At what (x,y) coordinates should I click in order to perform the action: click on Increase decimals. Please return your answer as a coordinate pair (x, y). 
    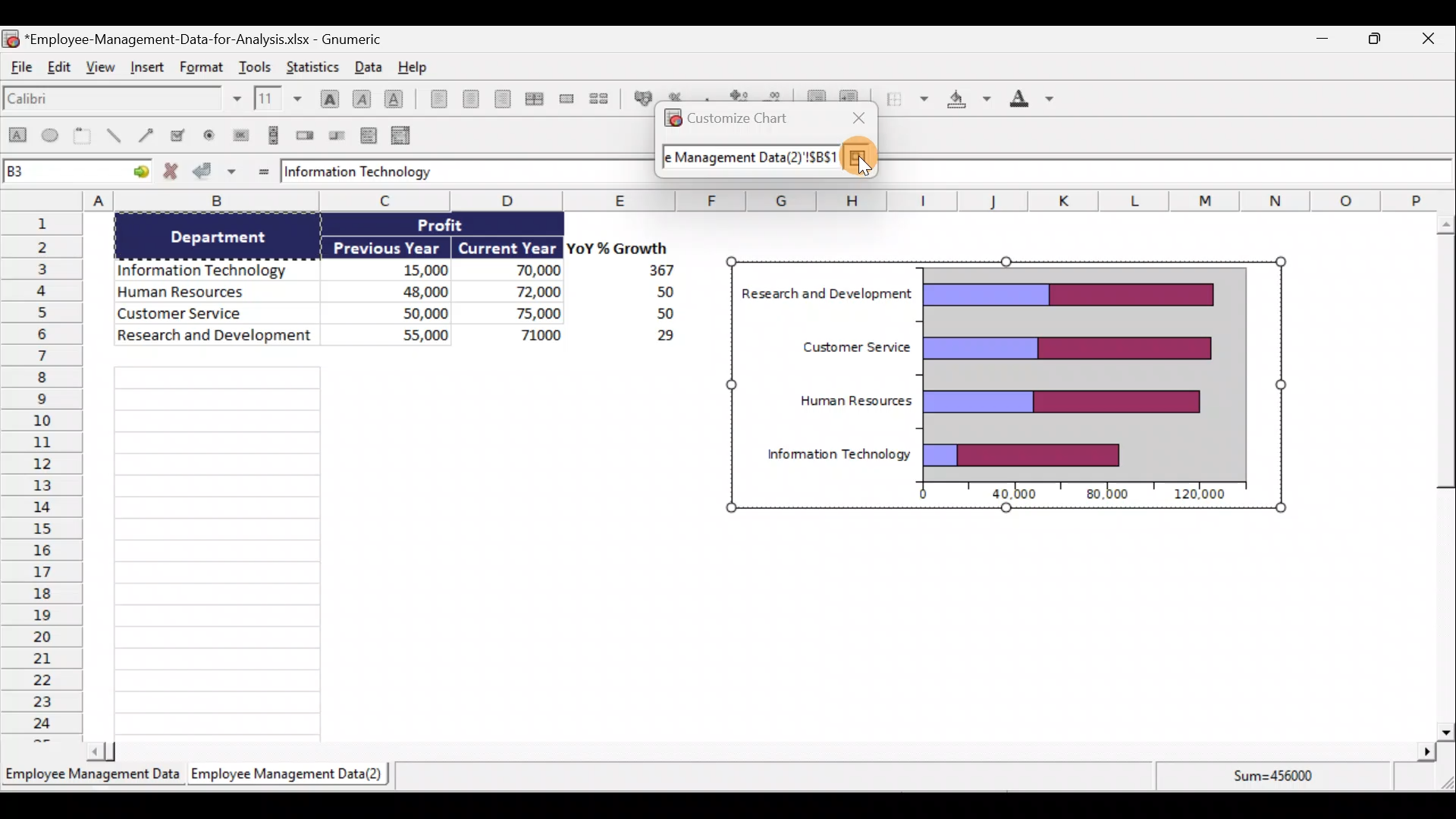
    Looking at the image, I should click on (740, 96).